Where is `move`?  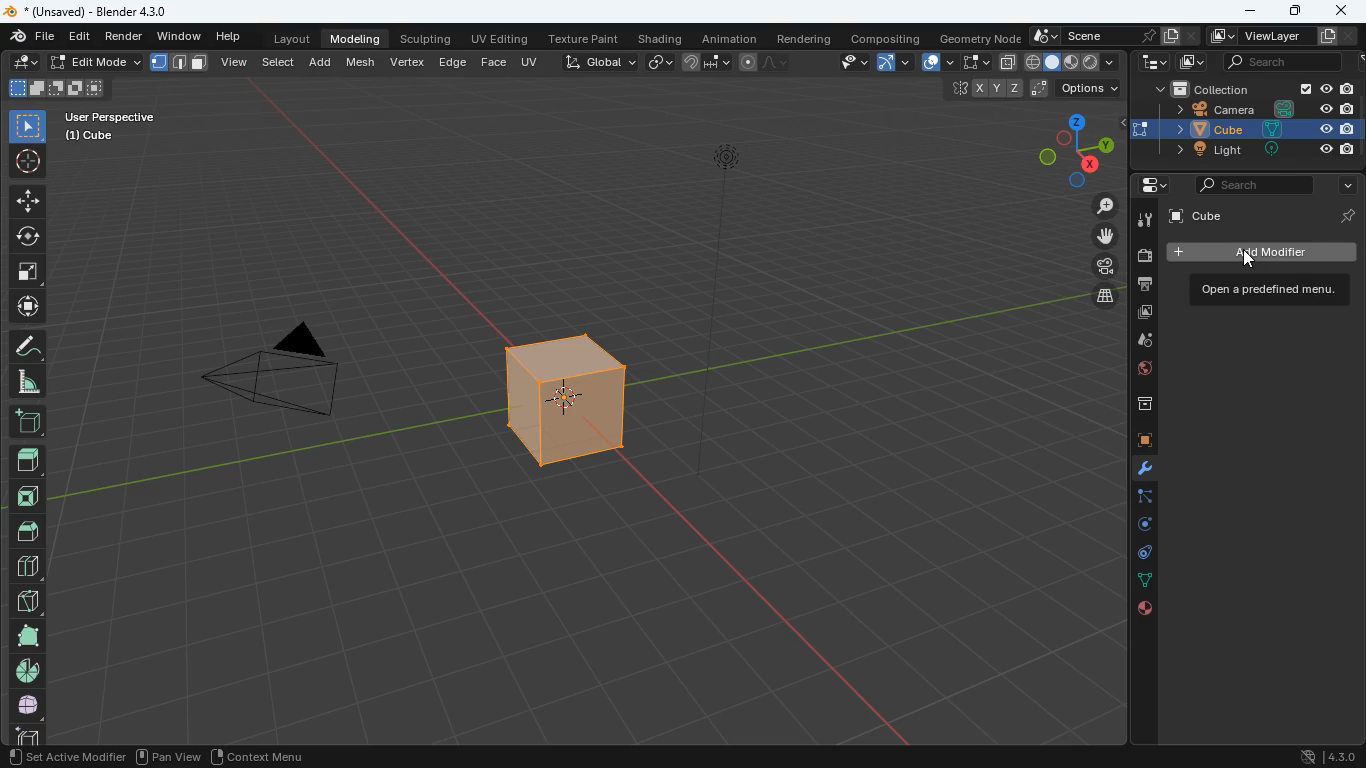
move is located at coordinates (28, 201).